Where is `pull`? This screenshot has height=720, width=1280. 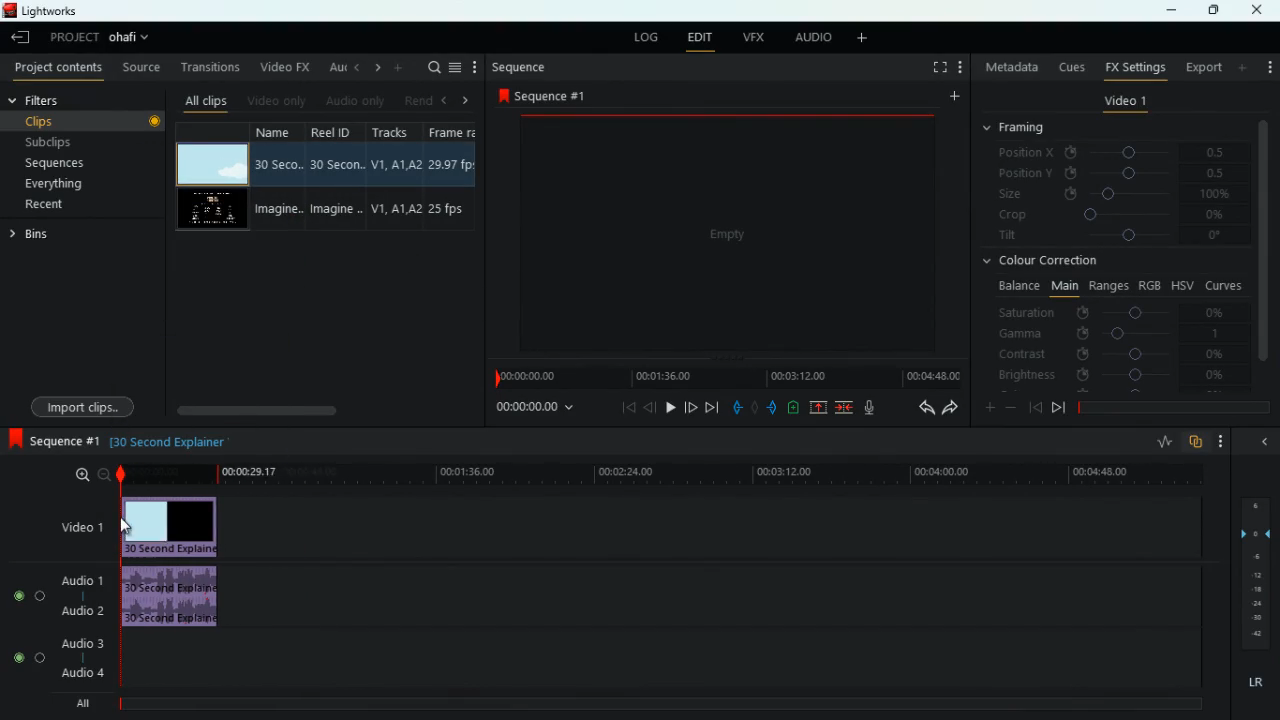
pull is located at coordinates (736, 408).